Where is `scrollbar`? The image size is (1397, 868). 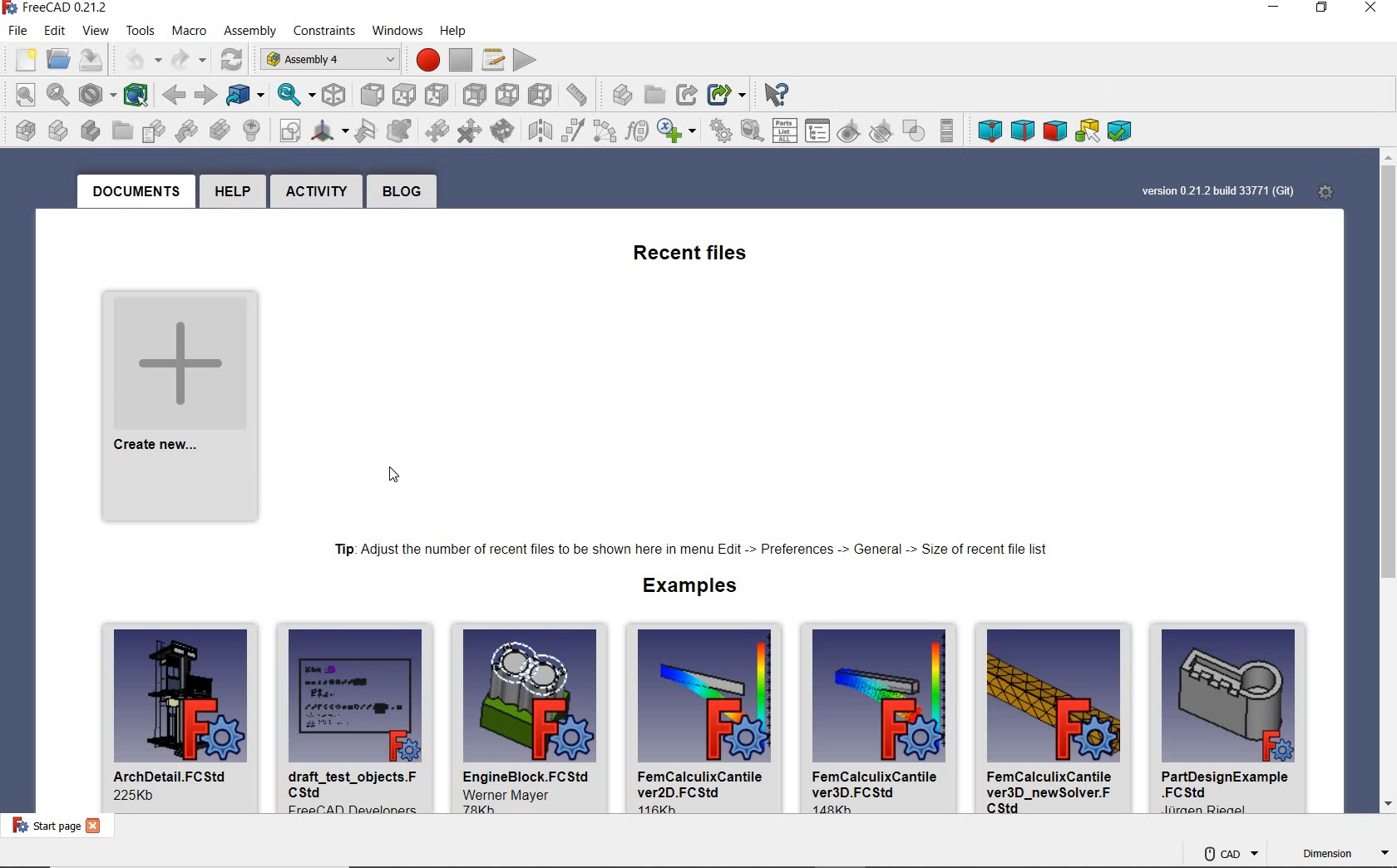
scrollbar is located at coordinates (1388, 466).